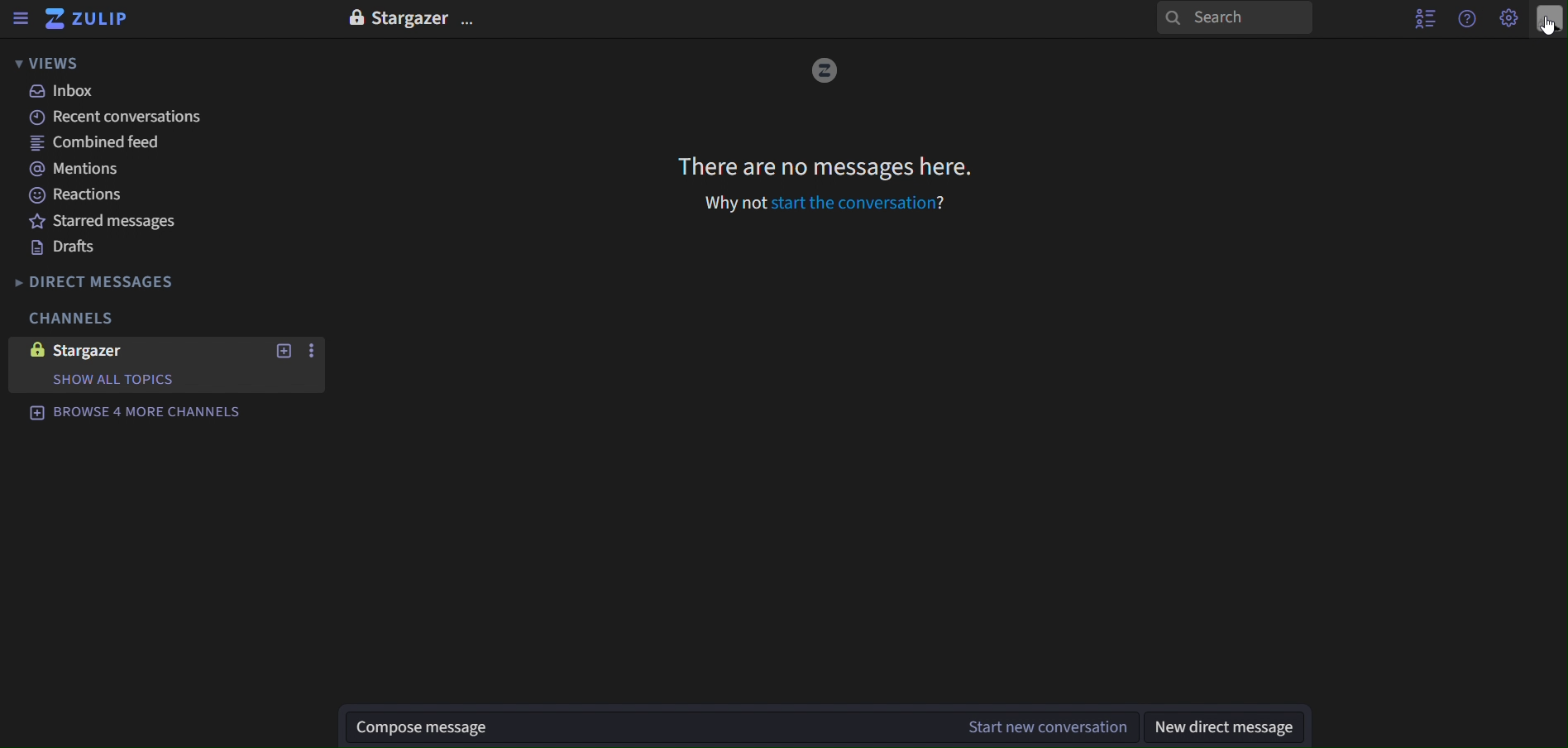 The image size is (1568, 748). What do you see at coordinates (825, 204) in the screenshot?
I see `Why not start the conversation?` at bounding box center [825, 204].